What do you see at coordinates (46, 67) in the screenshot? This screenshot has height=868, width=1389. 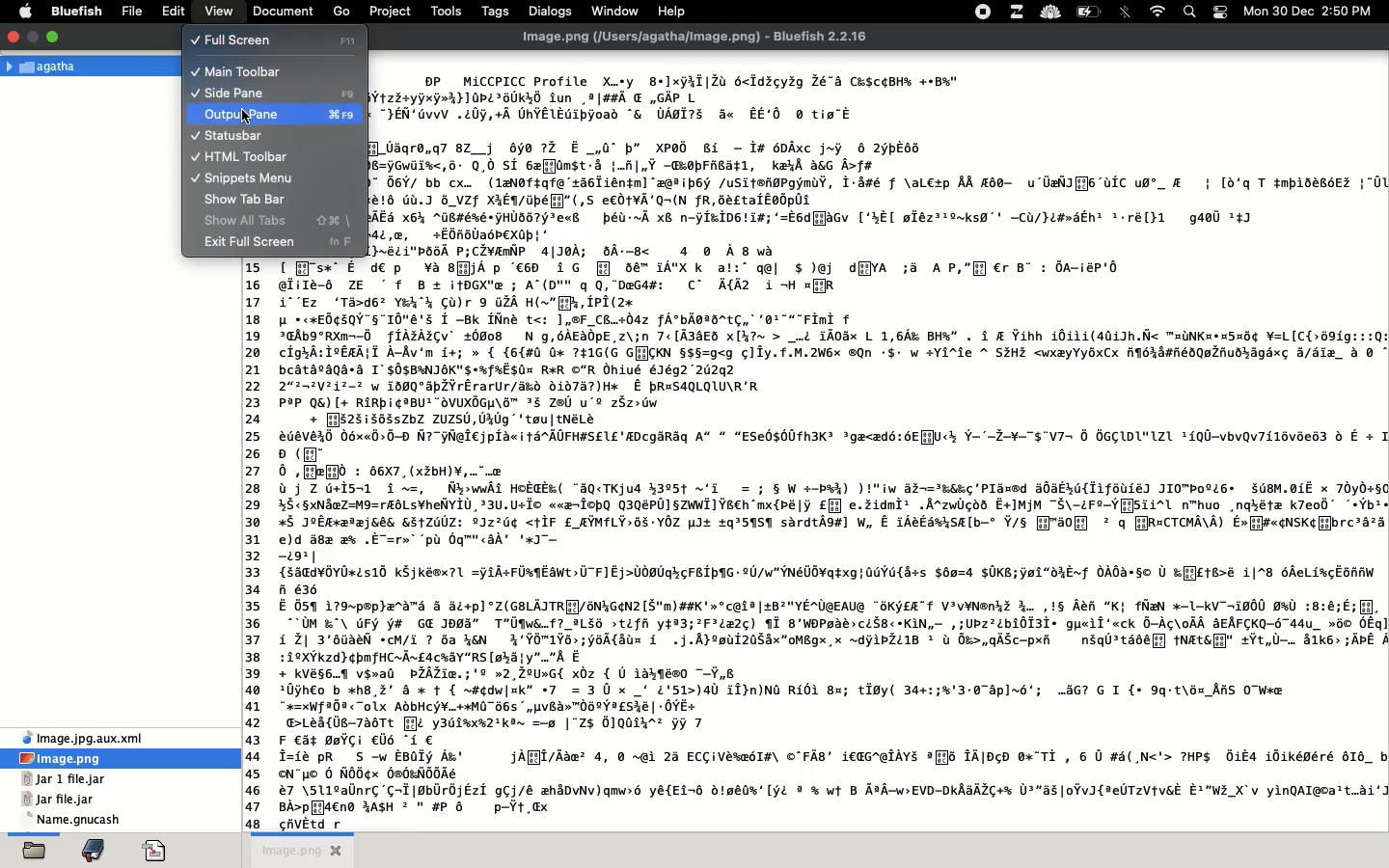 I see `Agatha` at bounding box center [46, 67].